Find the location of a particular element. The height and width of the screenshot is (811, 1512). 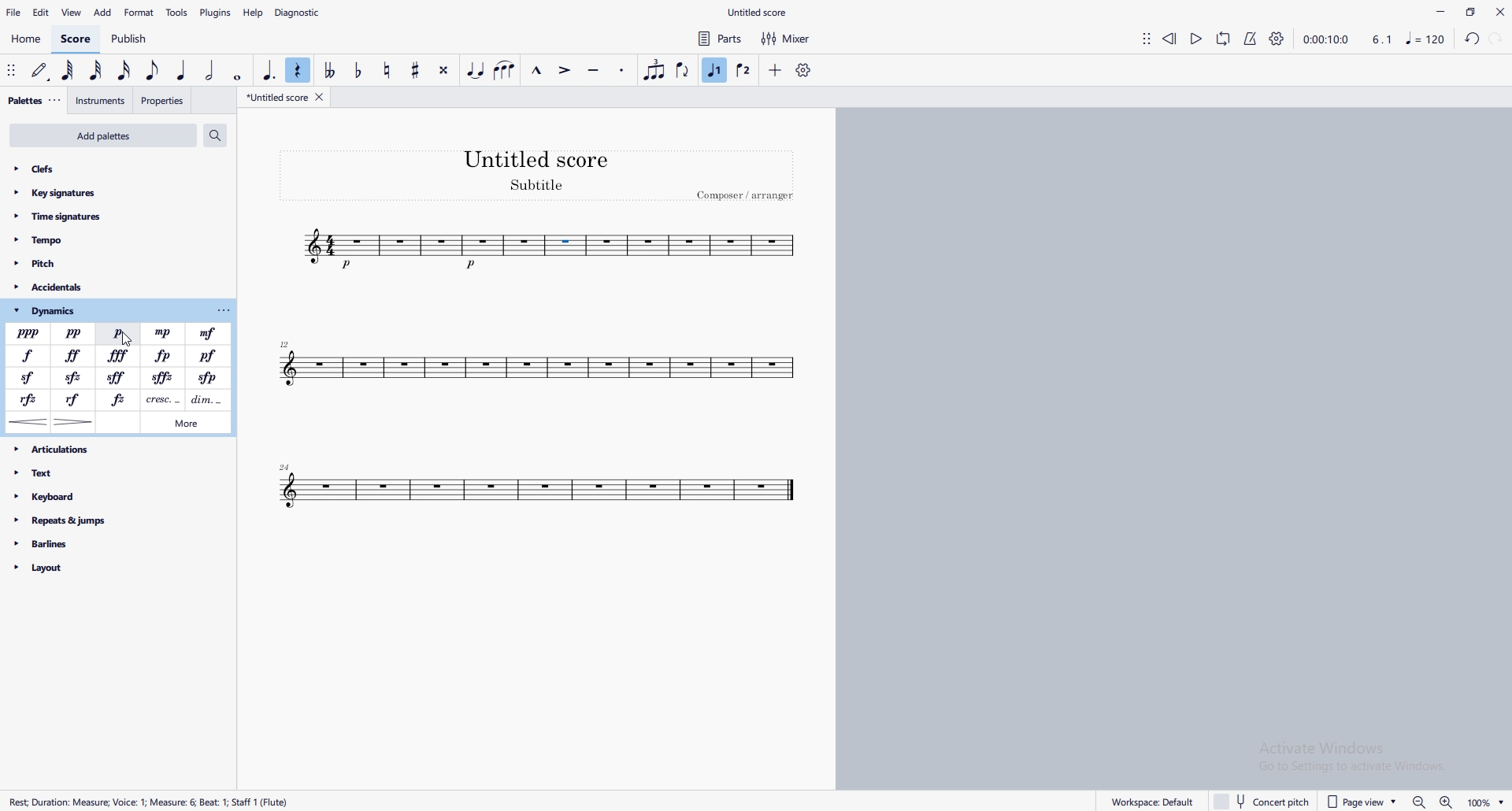

playback settings is located at coordinates (1277, 38).